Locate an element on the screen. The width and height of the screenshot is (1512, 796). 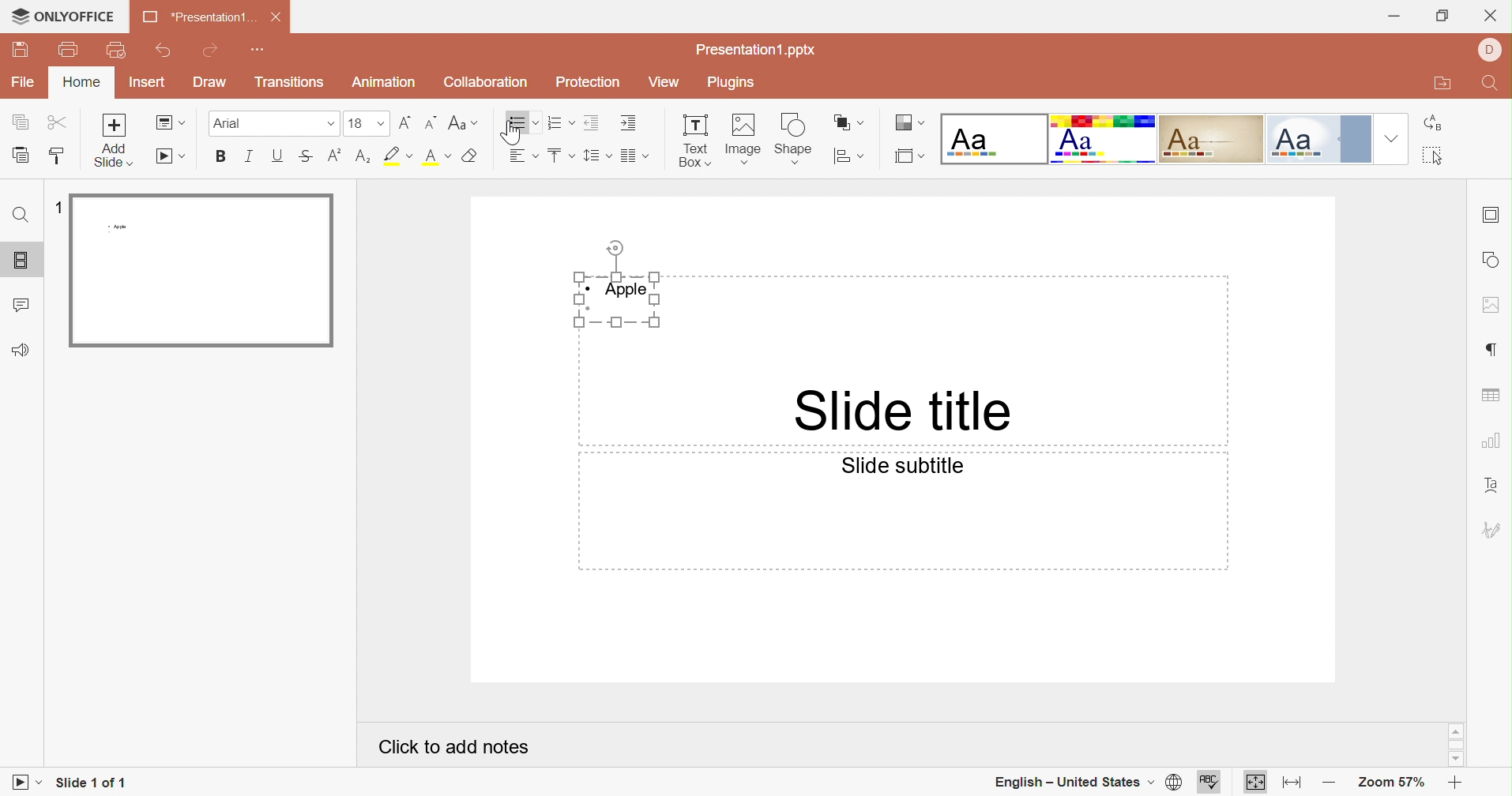
Decrement font size is located at coordinates (430, 122).